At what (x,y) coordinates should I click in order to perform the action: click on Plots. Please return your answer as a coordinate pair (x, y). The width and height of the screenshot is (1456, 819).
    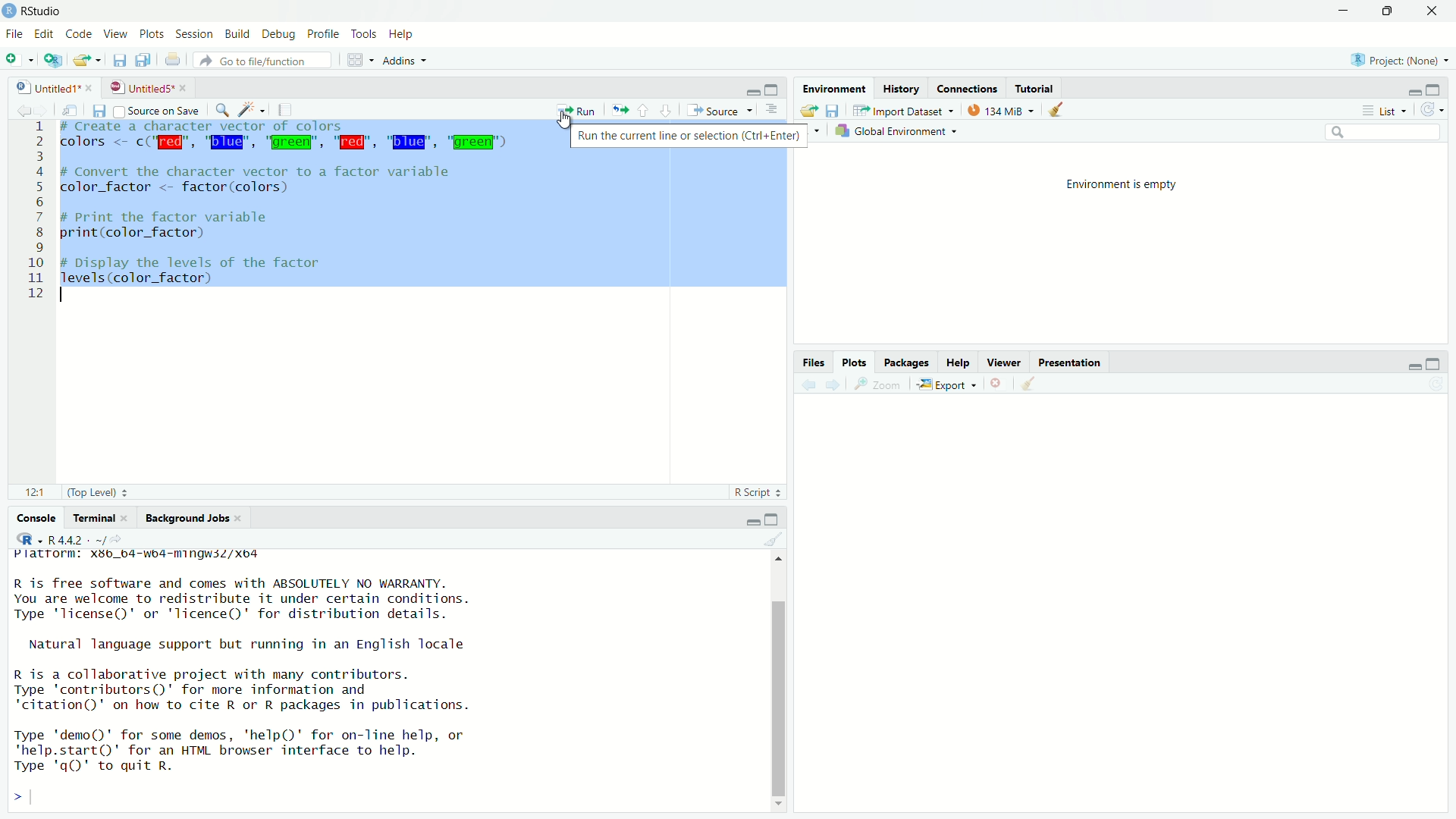
    Looking at the image, I should click on (855, 359).